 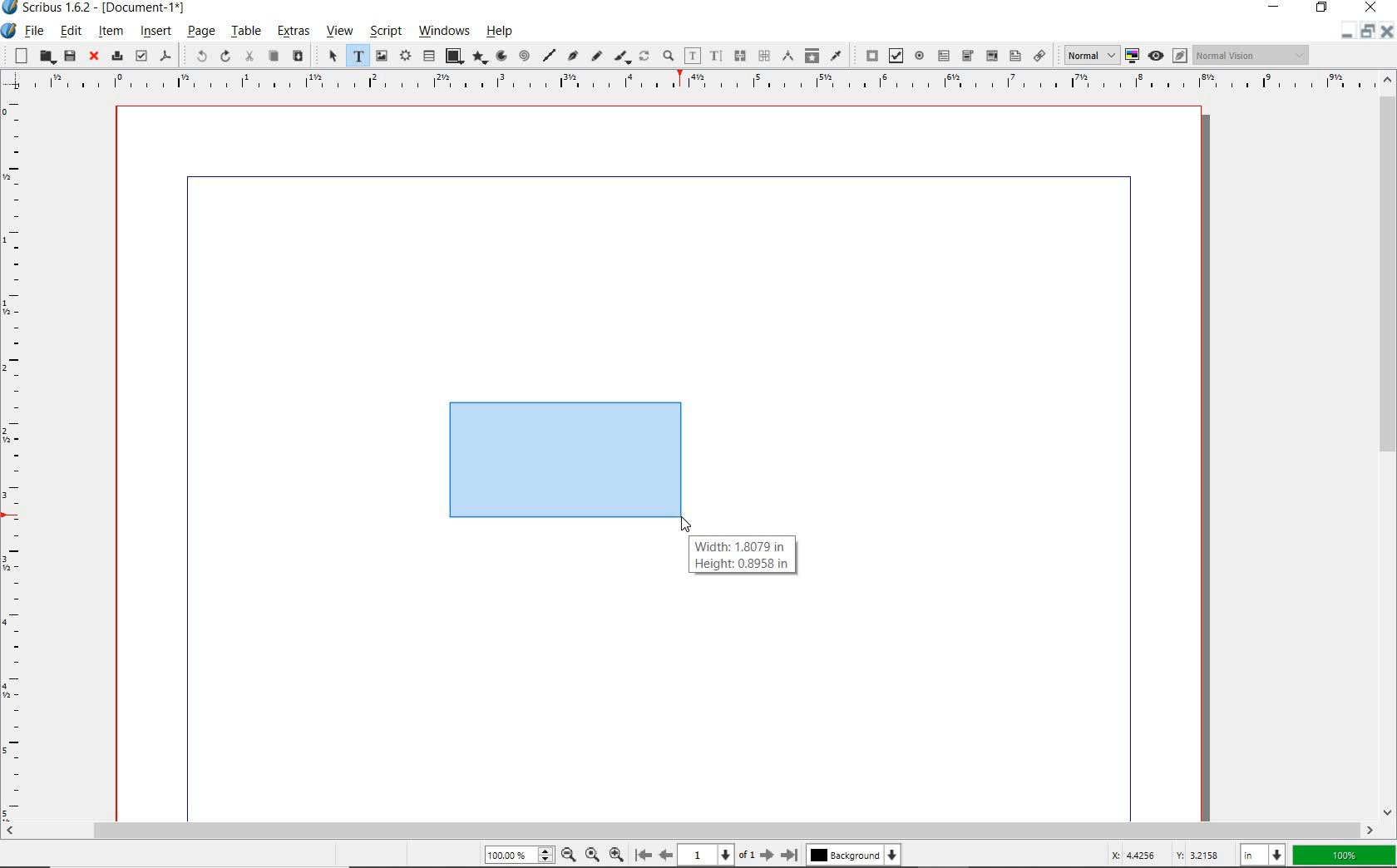 What do you see at coordinates (94, 57) in the screenshot?
I see `close` at bounding box center [94, 57].